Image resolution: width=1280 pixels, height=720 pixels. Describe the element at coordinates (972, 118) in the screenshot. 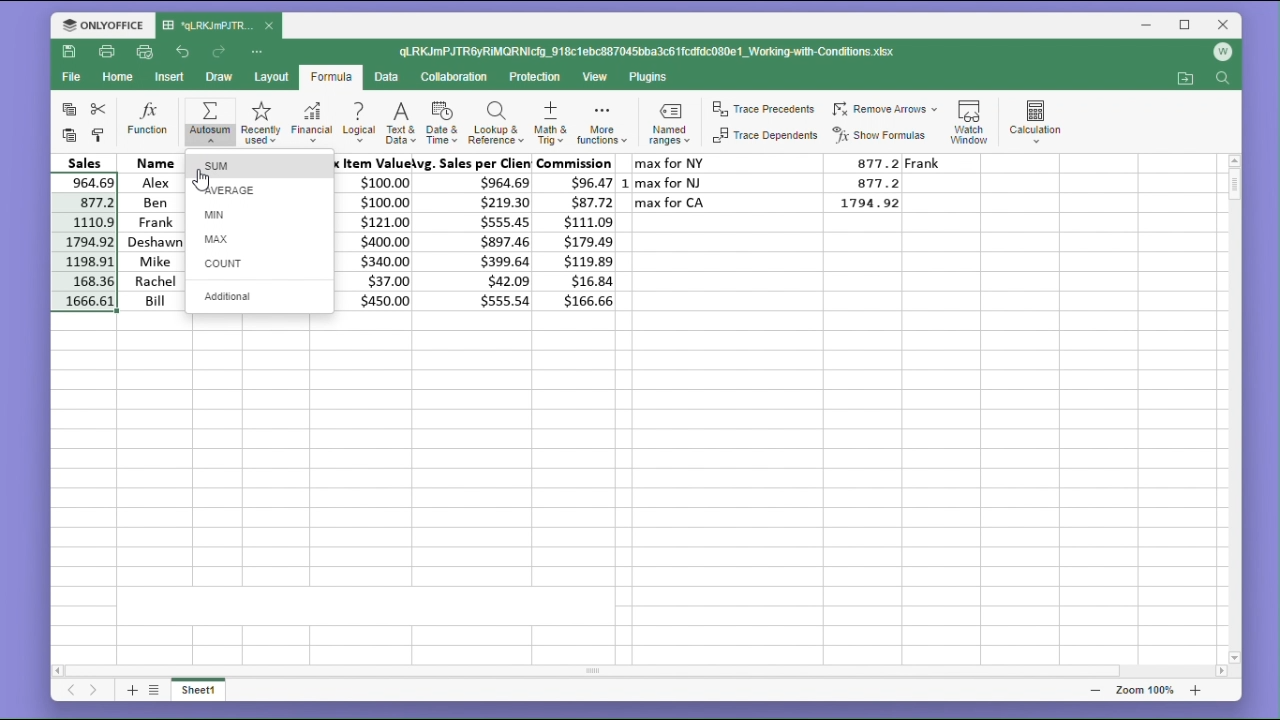

I see `watch window` at that location.